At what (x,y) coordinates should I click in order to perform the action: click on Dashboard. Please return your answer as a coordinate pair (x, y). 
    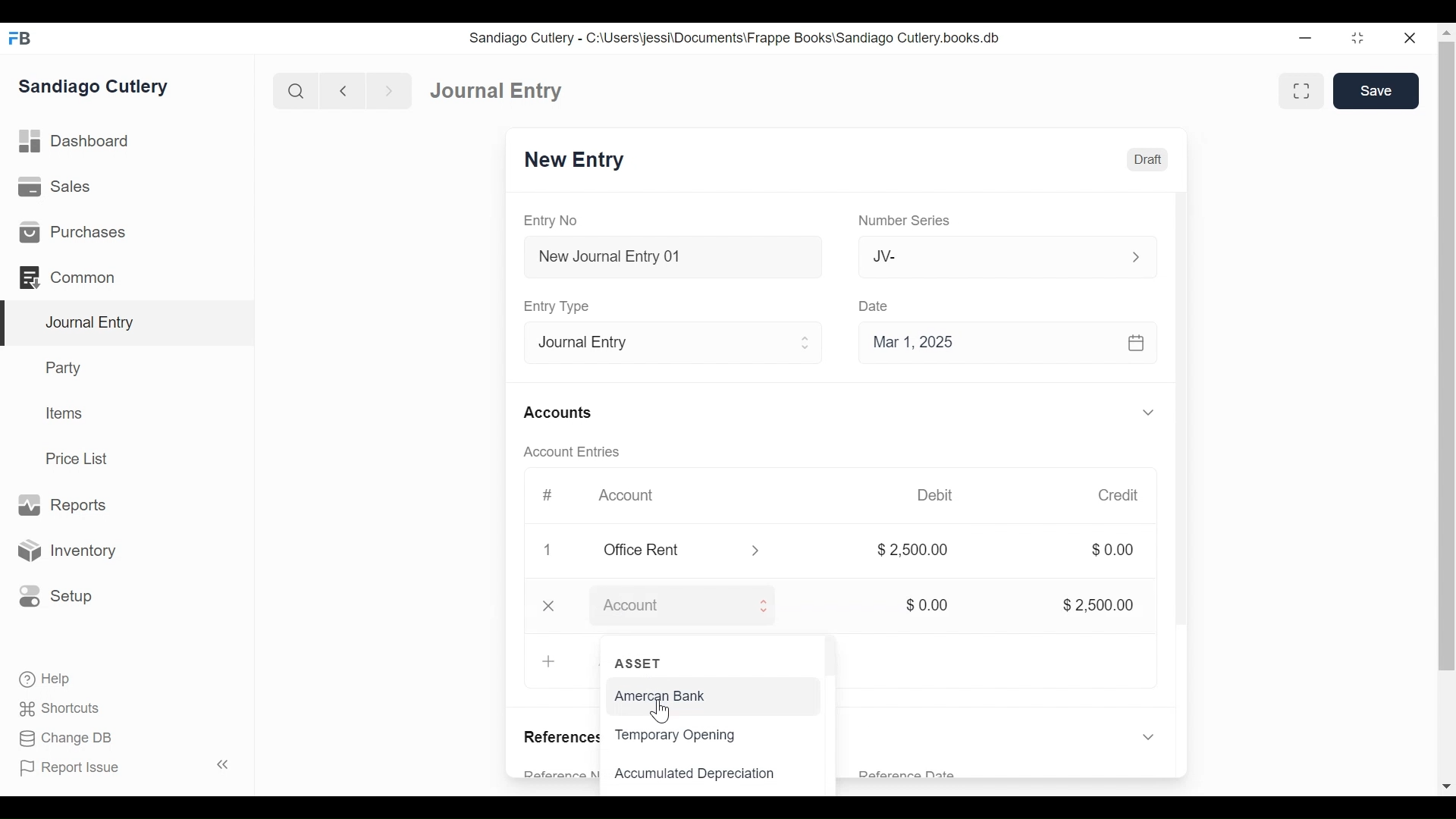
    Looking at the image, I should click on (491, 89).